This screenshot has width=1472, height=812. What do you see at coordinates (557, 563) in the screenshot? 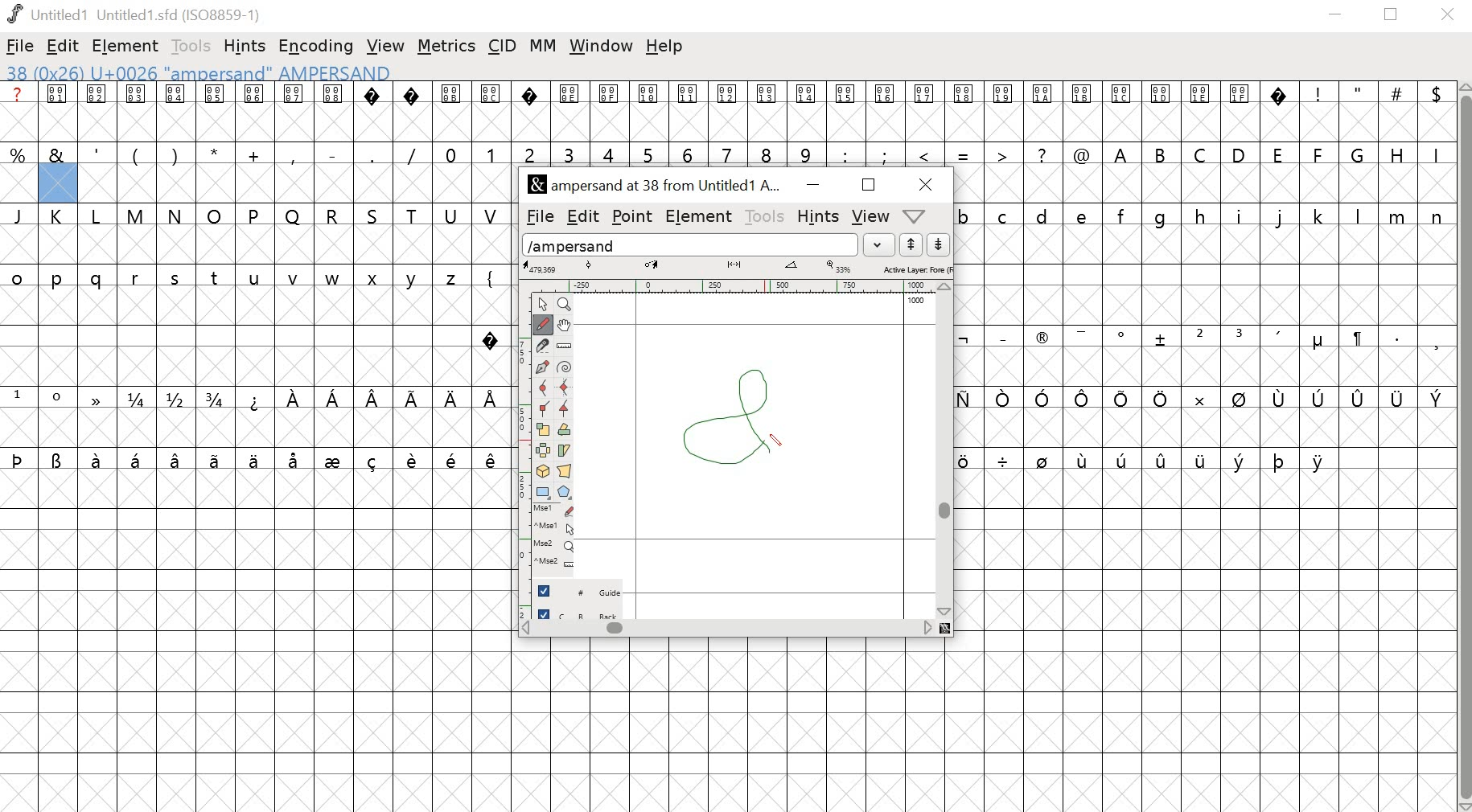
I see `^Mse2` at bounding box center [557, 563].